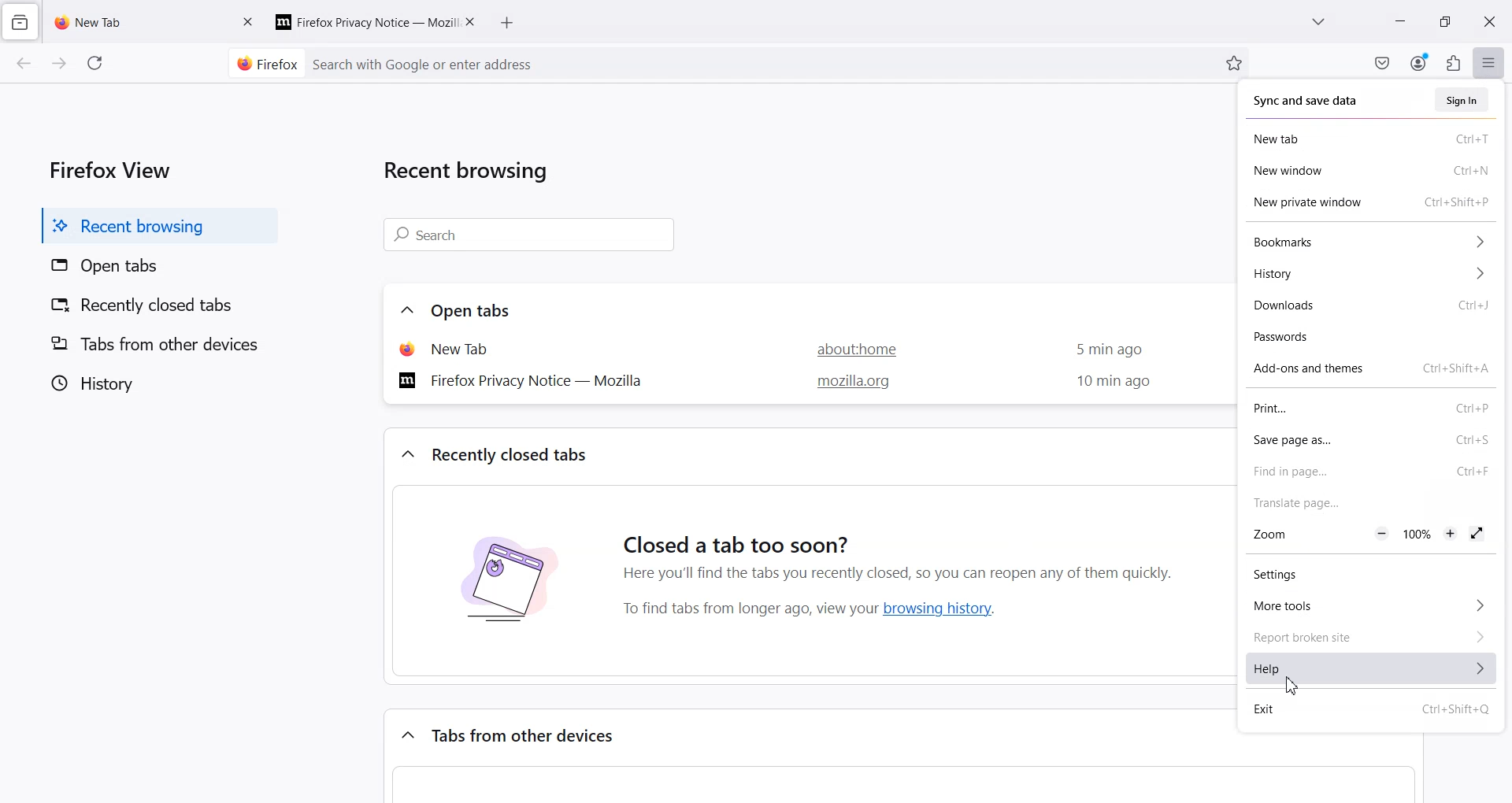  Describe the element at coordinates (154, 267) in the screenshot. I see `Open tabs` at that location.